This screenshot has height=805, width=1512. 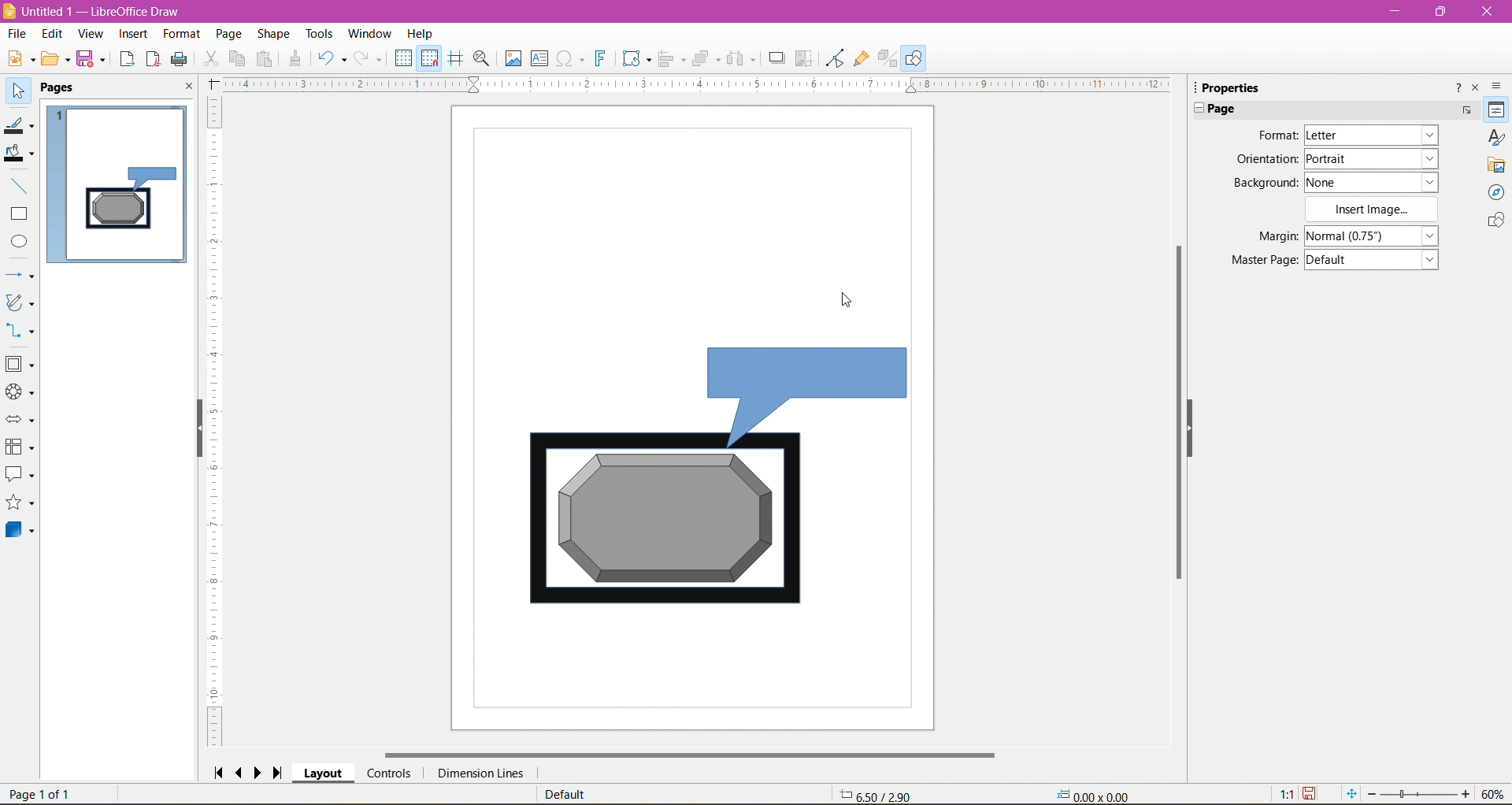 I want to click on Align Objects, so click(x=671, y=61).